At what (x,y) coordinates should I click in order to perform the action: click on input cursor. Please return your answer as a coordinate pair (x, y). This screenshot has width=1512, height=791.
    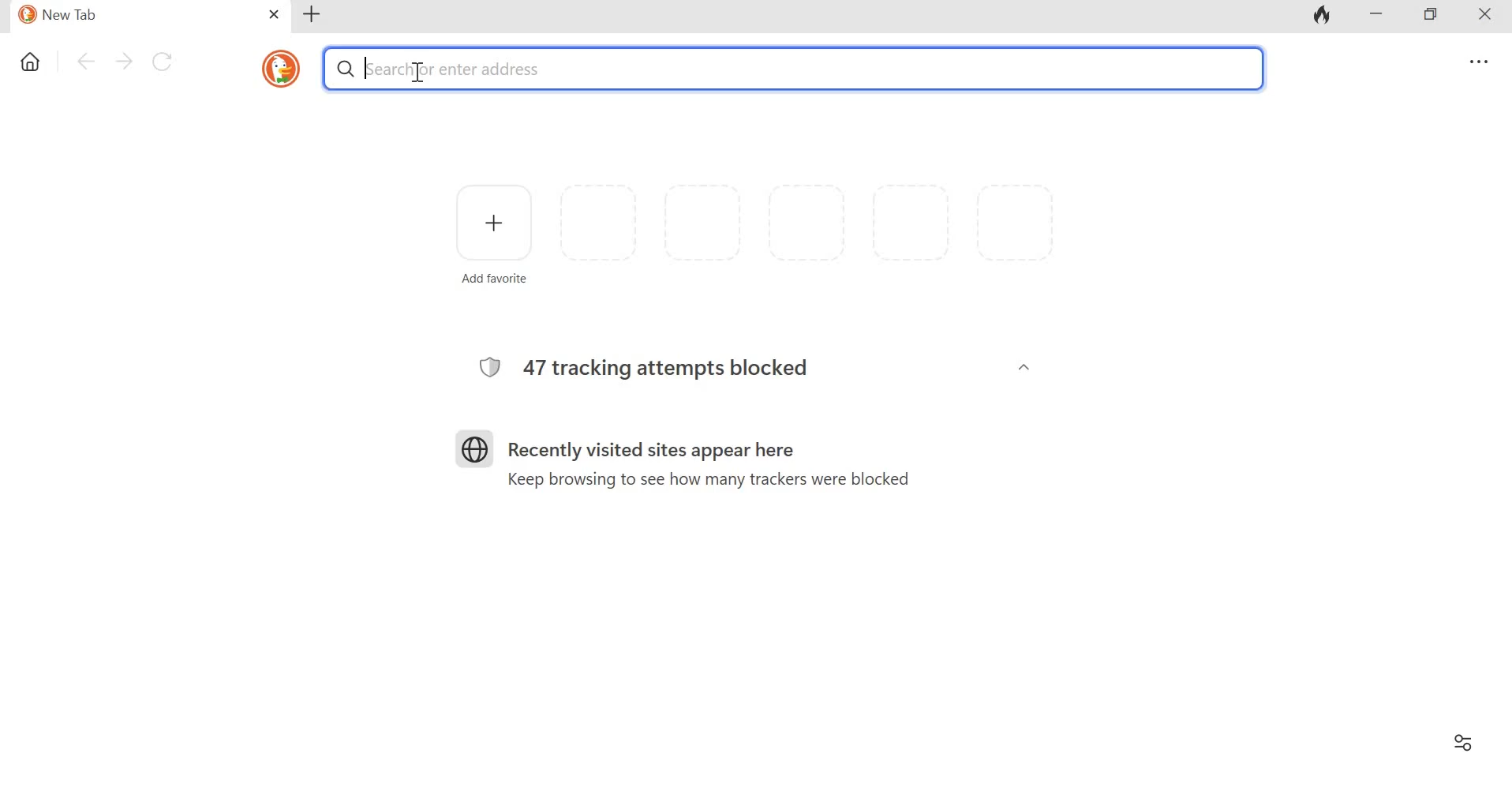
    Looking at the image, I should click on (369, 69).